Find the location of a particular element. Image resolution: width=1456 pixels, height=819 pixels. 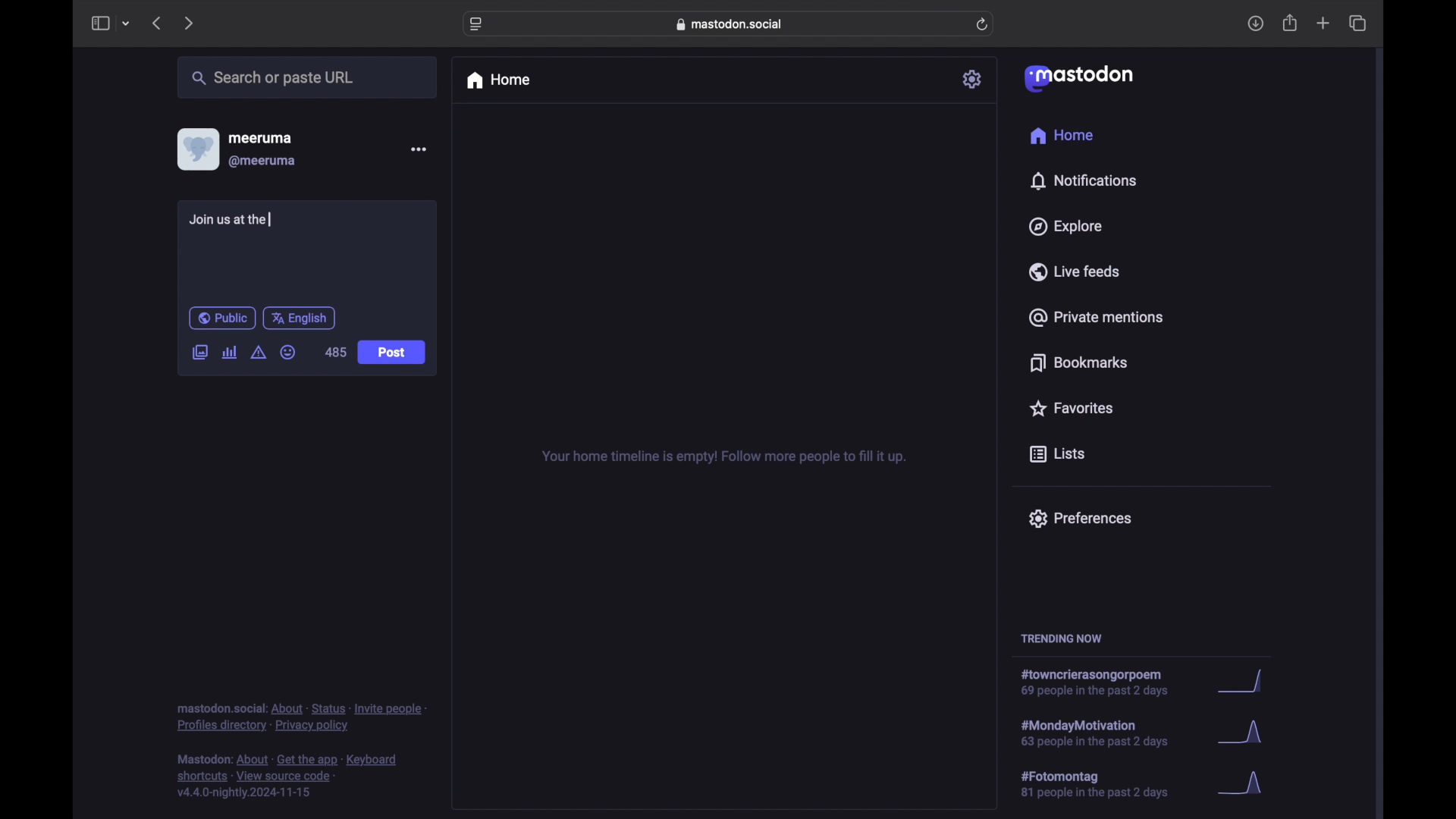

refresh is located at coordinates (984, 25).